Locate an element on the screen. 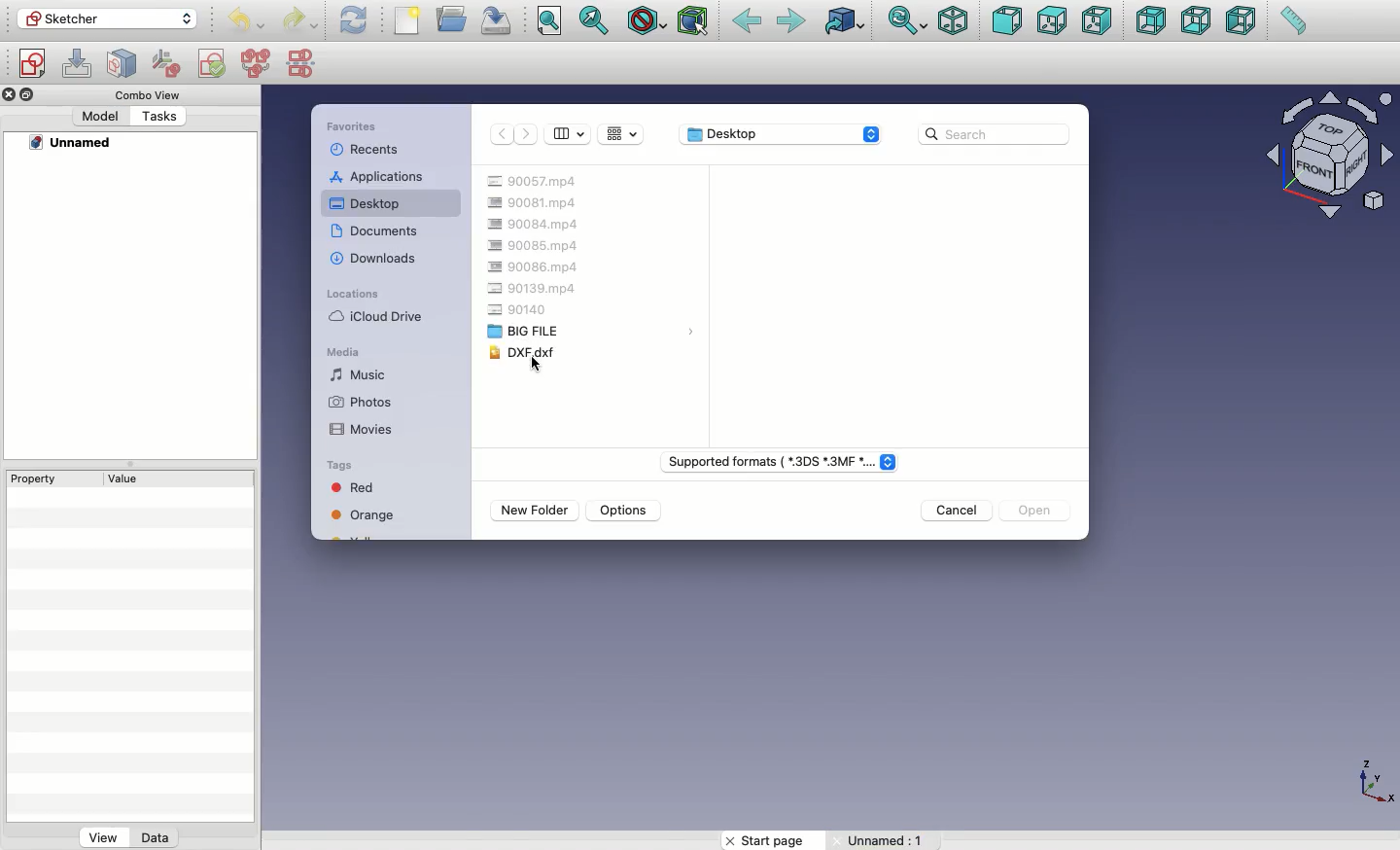 Image resolution: width=1400 pixels, height=850 pixels. Locations is located at coordinates (354, 292).